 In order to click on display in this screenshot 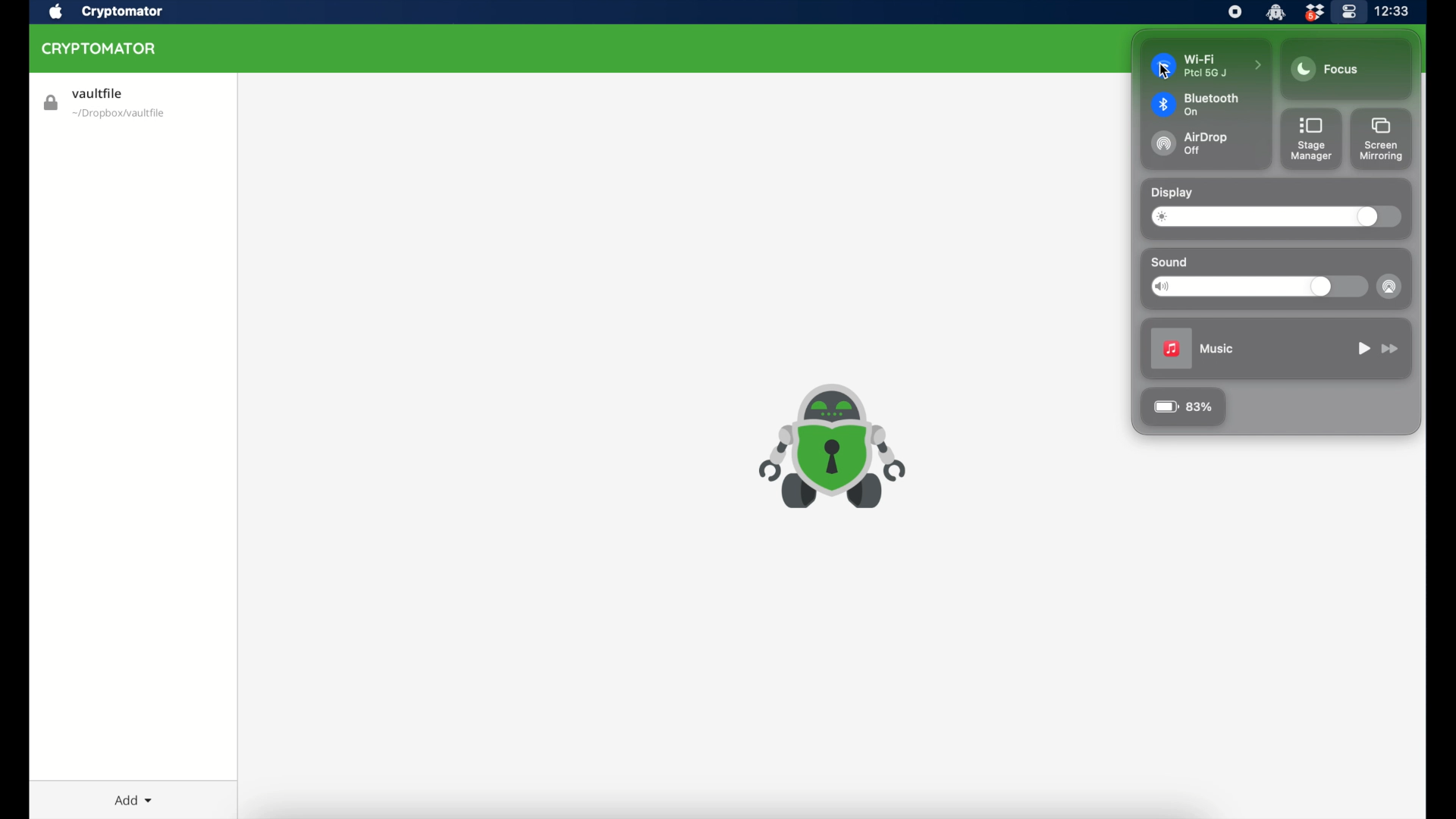, I will do `click(1279, 209)`.